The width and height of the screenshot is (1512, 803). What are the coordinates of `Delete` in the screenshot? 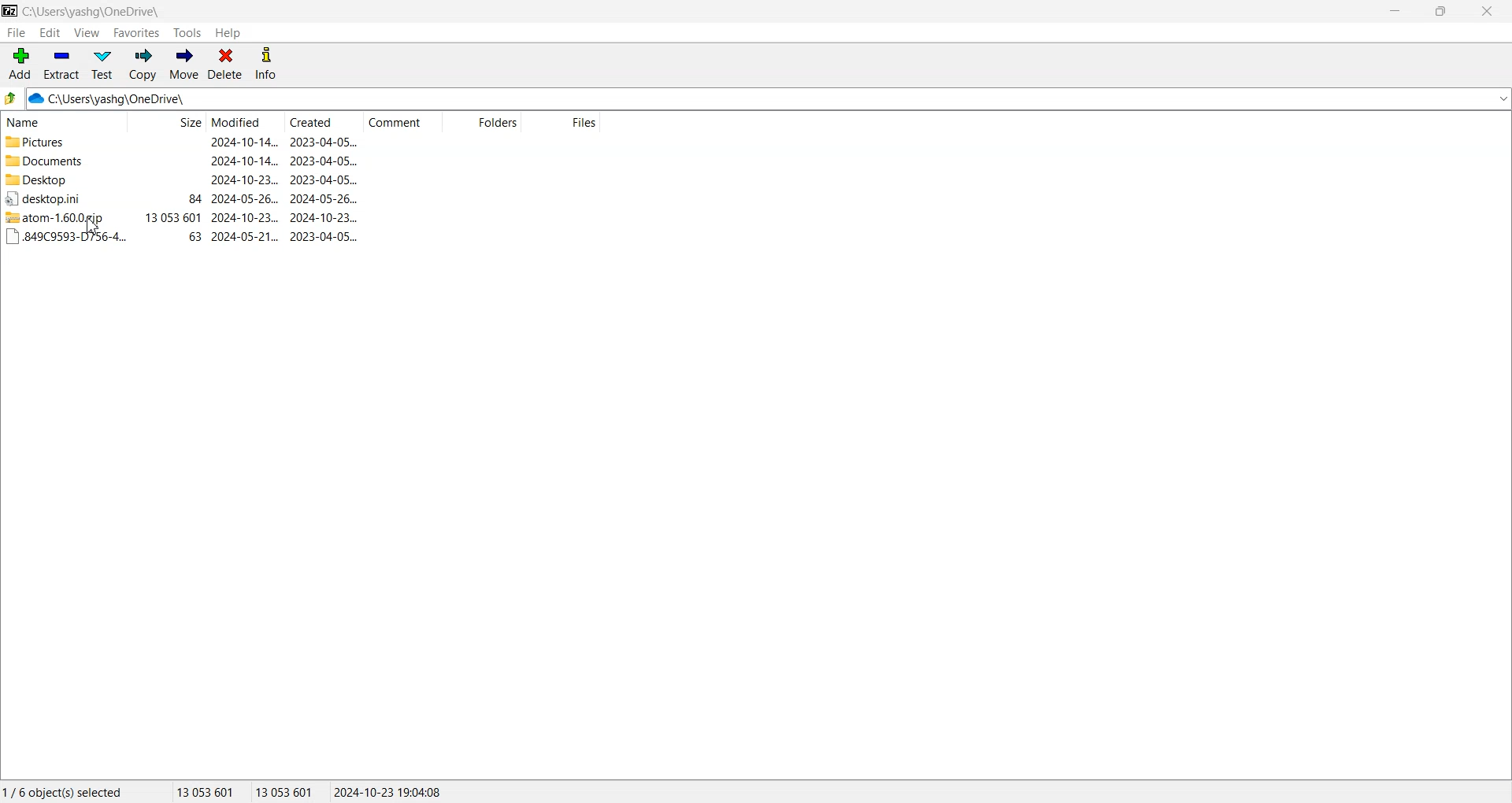 It's located at (225, 65).